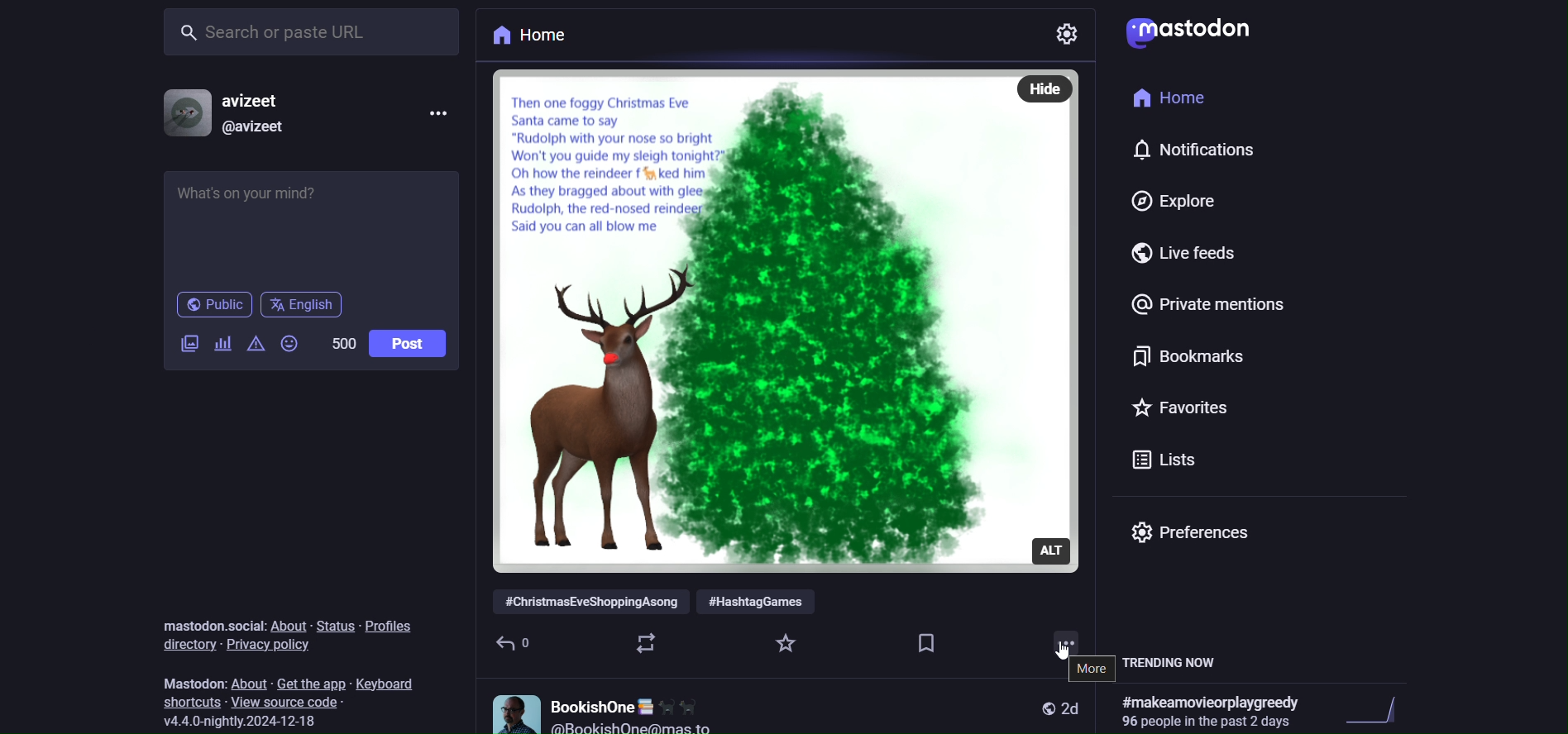 The width and height of the screenshot is (1568, 734). I want to click on favorites, so click(1185, 405).